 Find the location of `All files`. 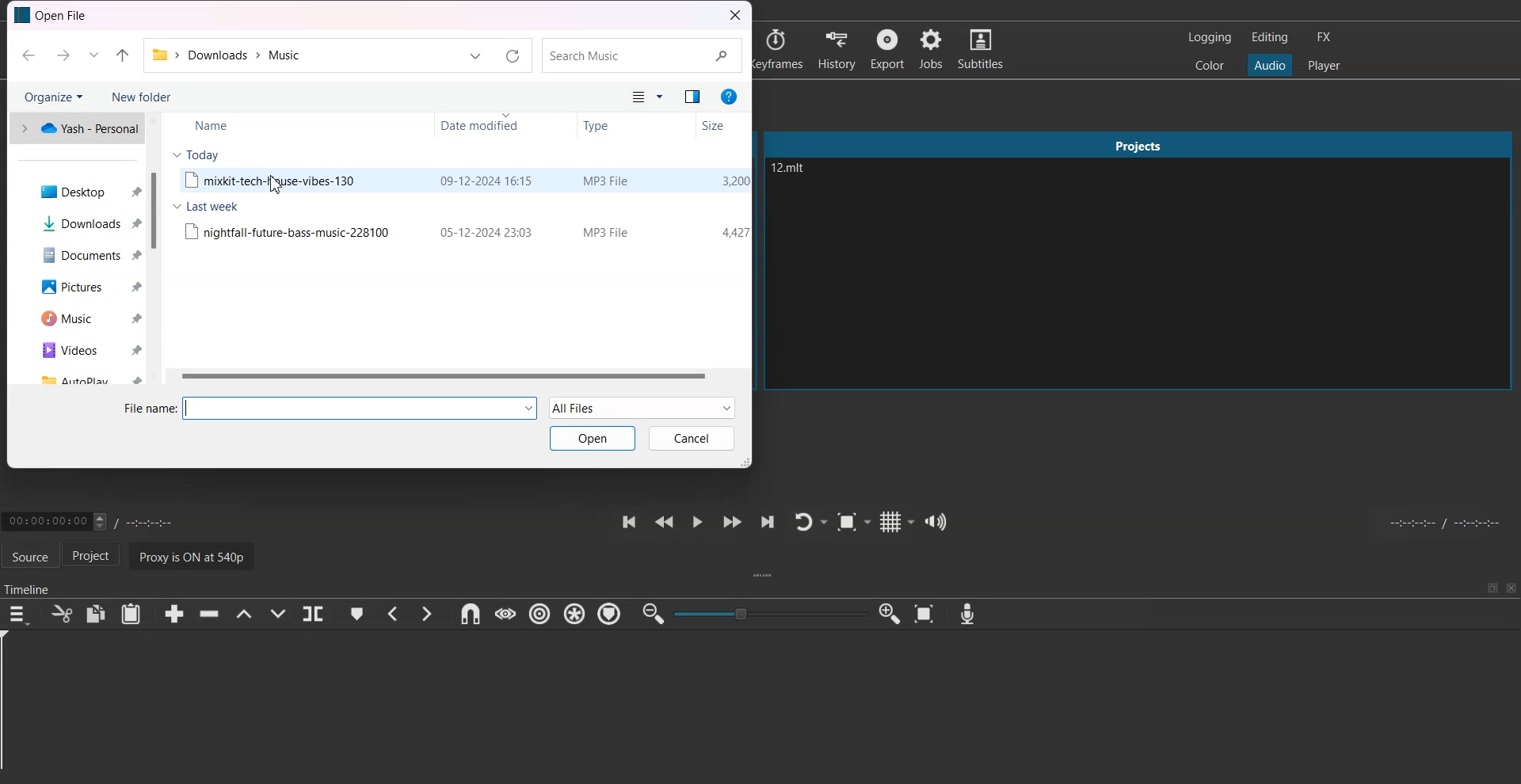

All files is located at coordinates (630, 97).